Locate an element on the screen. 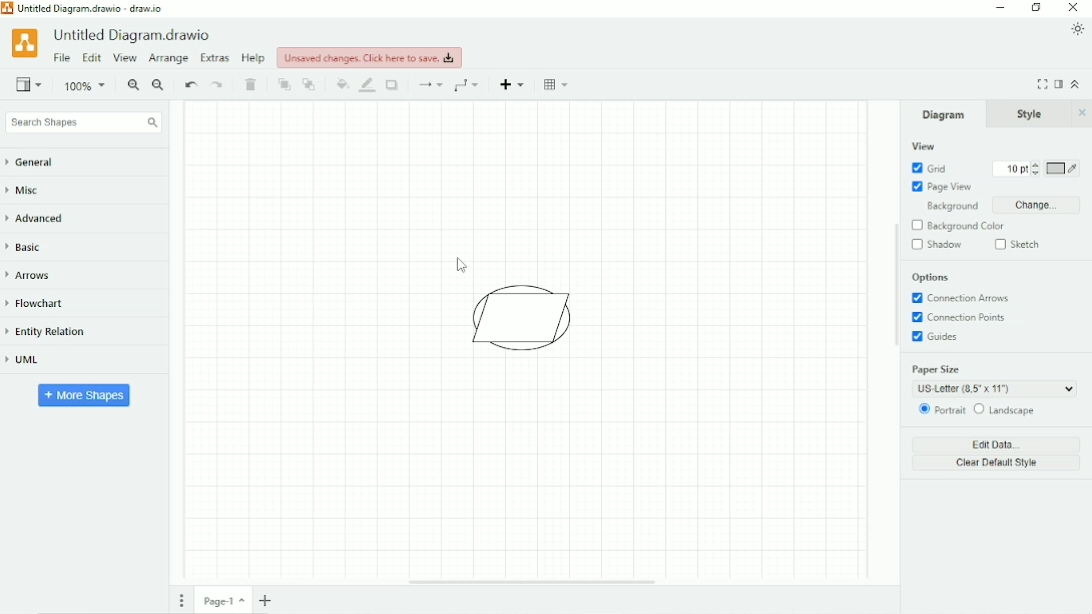  Arrows is located at coordinates (35, 275).